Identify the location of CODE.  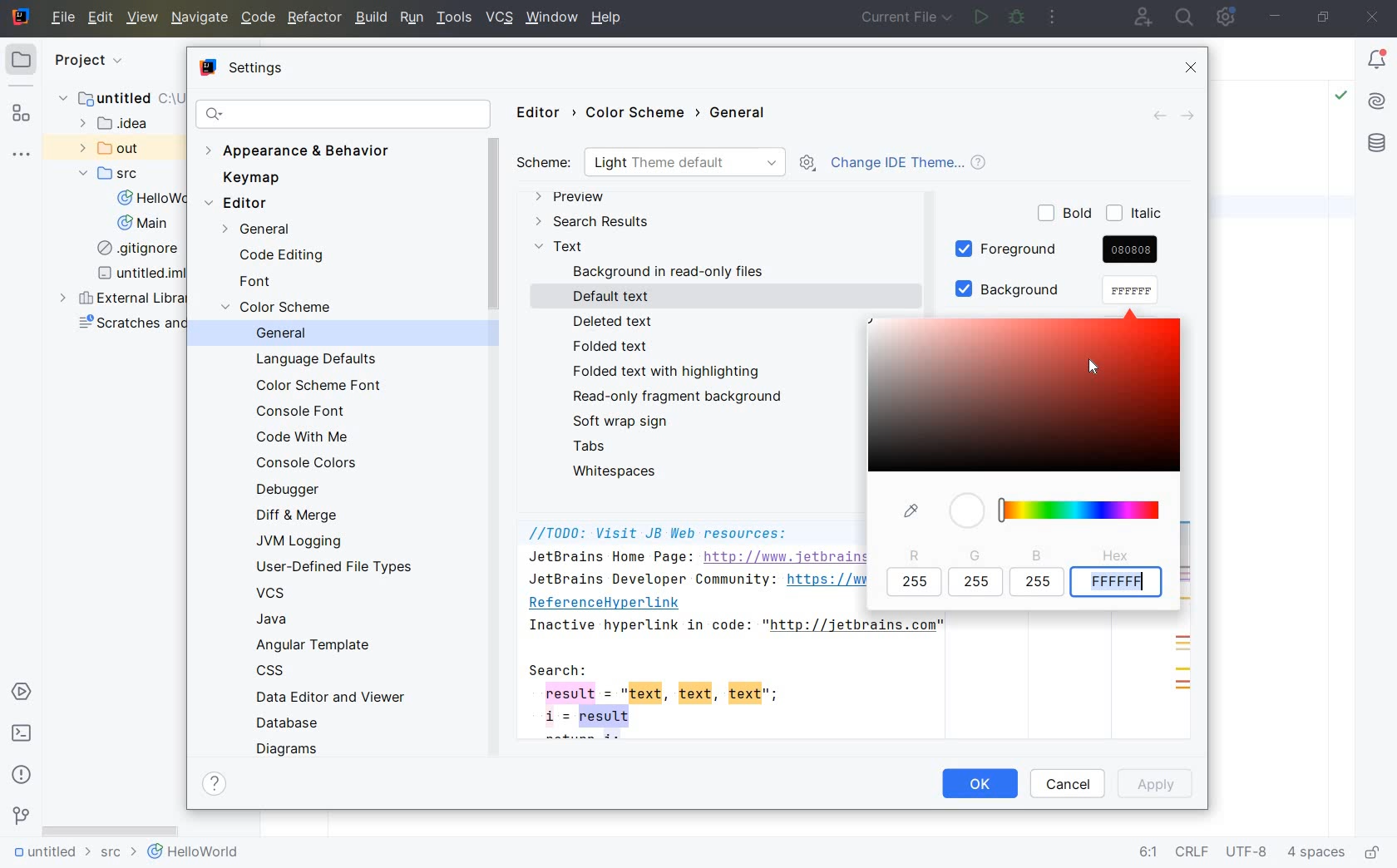
(258, 19).